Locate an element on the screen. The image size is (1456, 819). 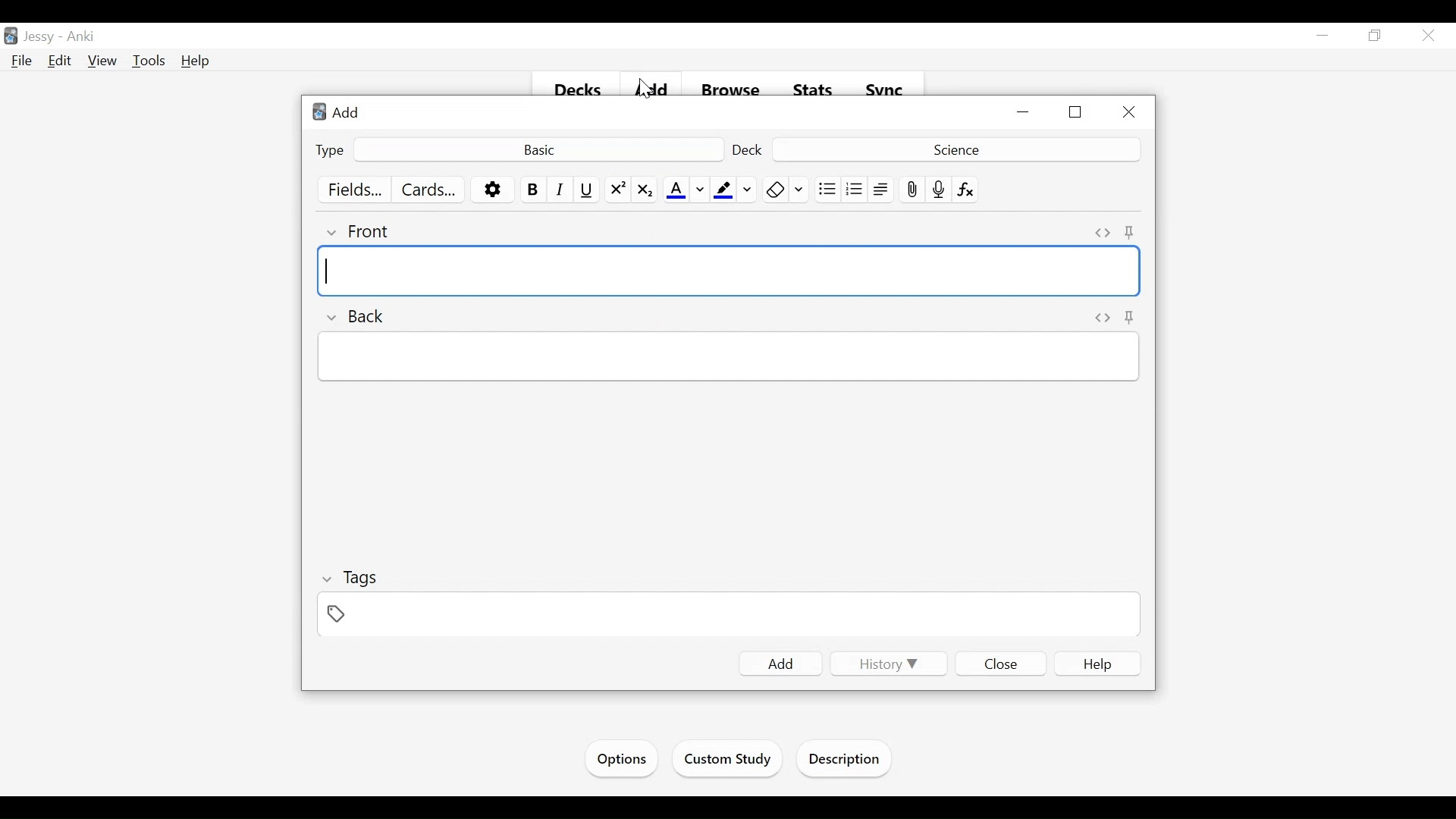
Unordered list is located at coordinates (827, 190).